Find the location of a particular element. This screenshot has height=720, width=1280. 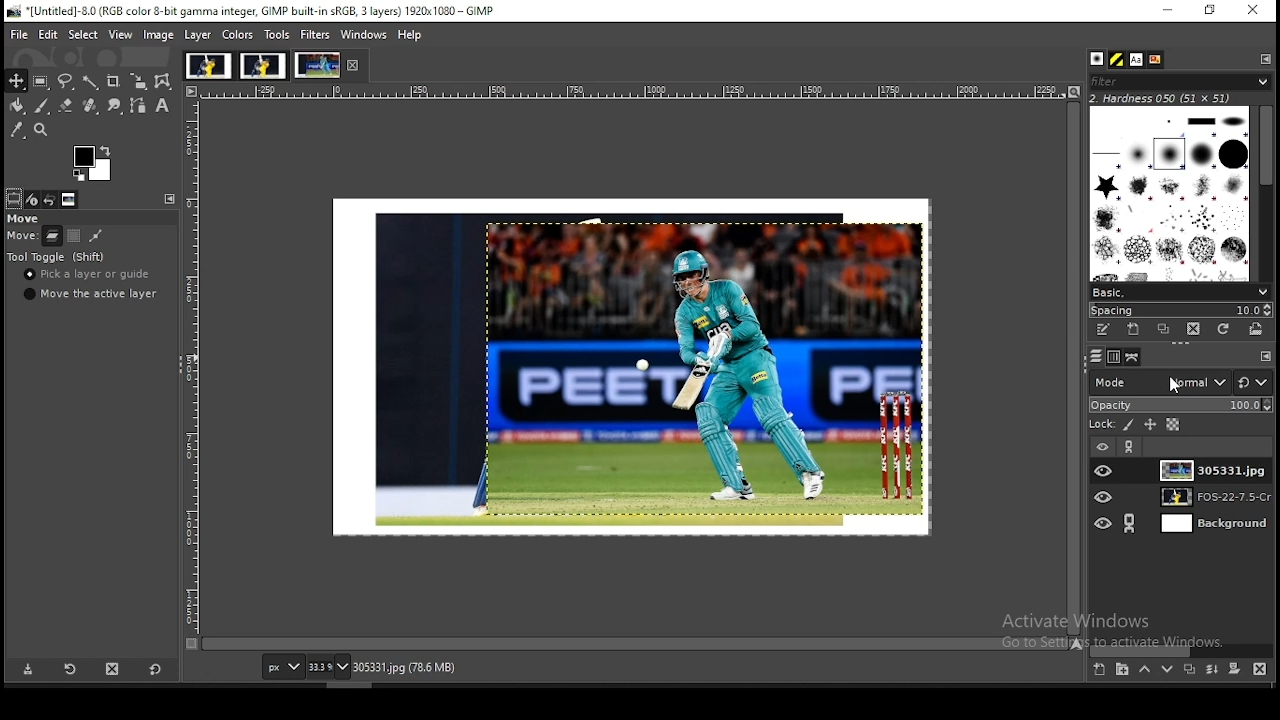

paths tool is located at coordinates (139, 106).